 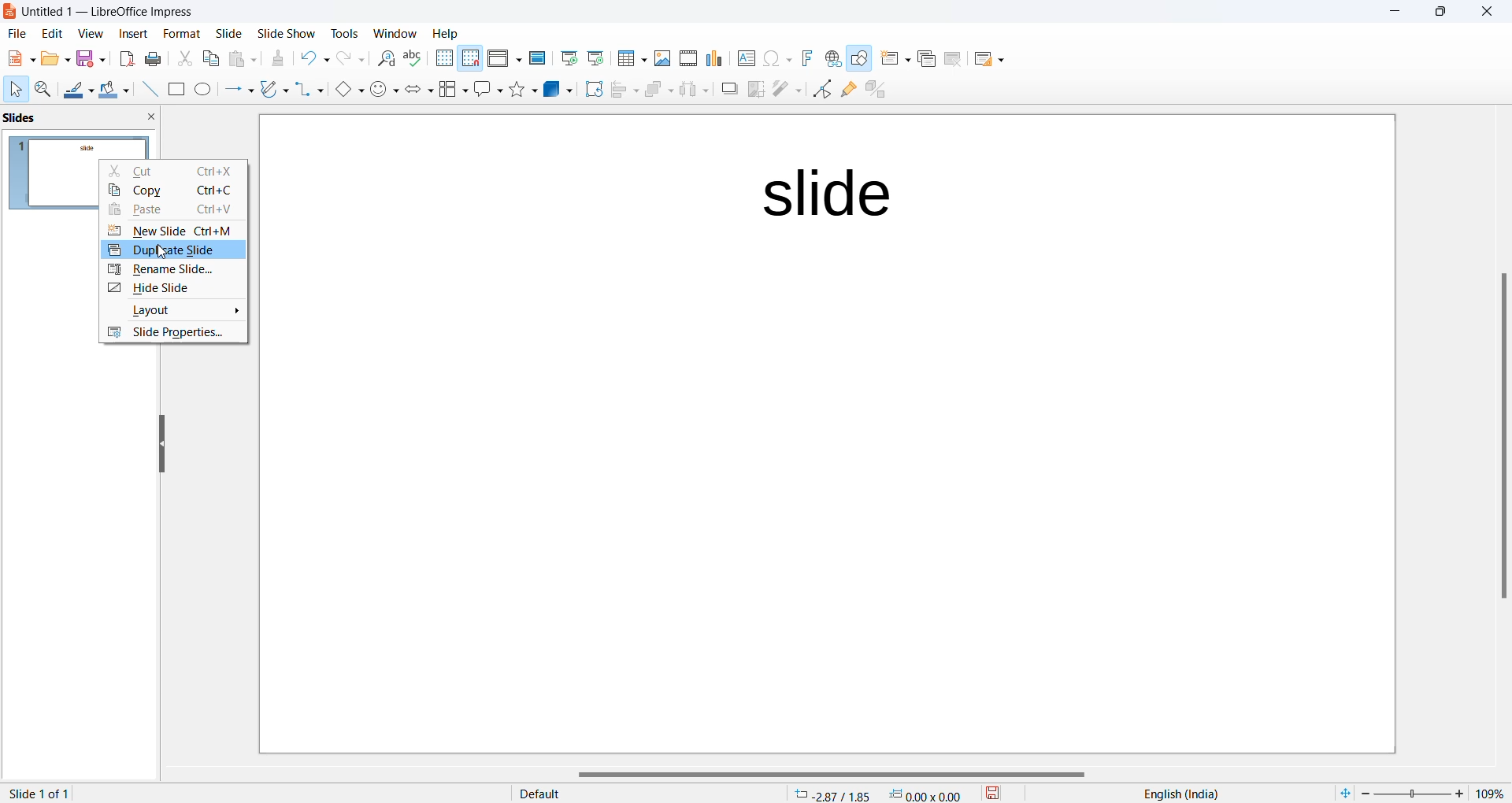 I want to click on Flow chart, so click(x=451, y=90).